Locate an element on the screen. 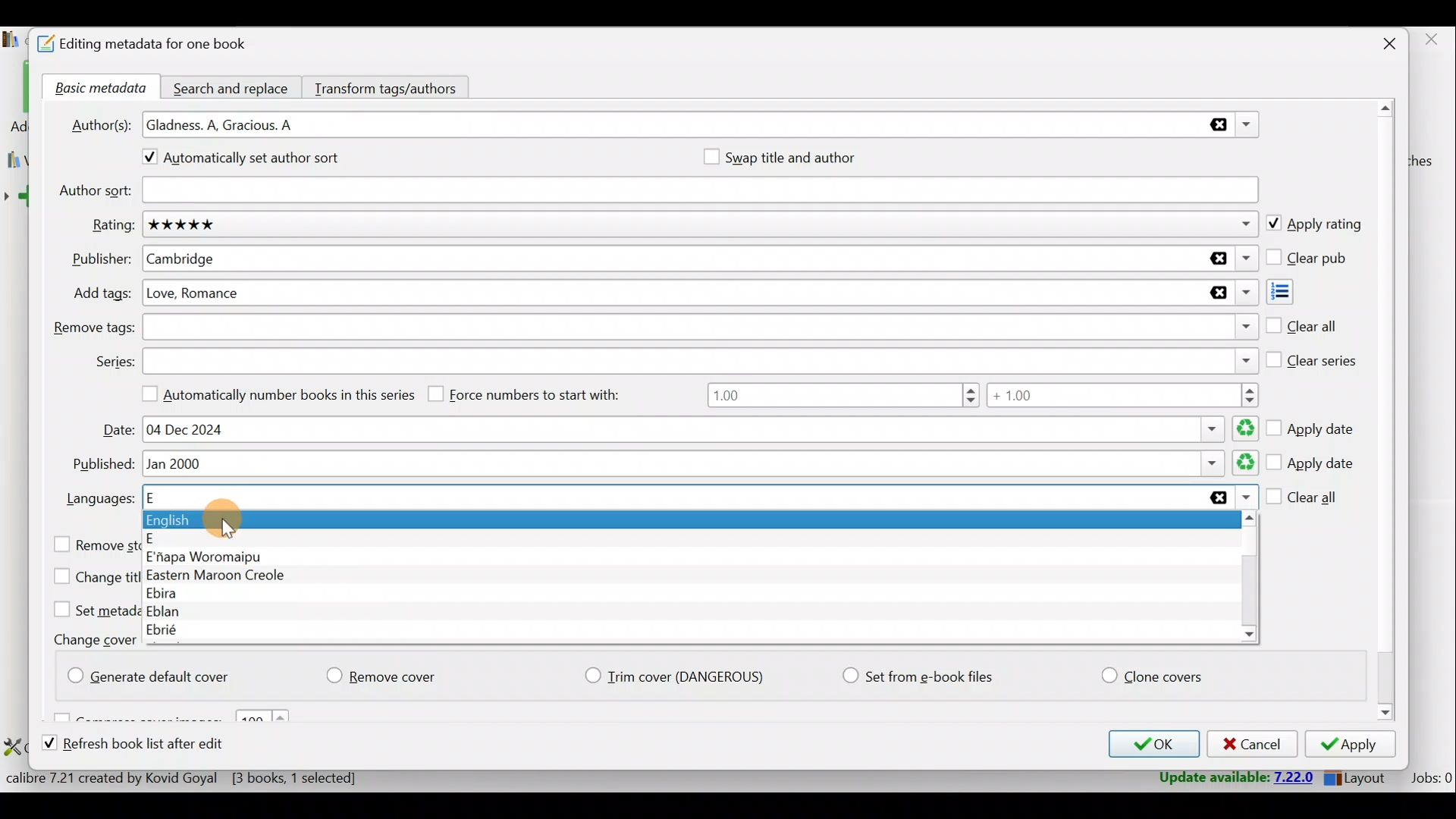 The height and width of the screenshot is (819, 1456). Add tags is located at coordinates (698, 293).